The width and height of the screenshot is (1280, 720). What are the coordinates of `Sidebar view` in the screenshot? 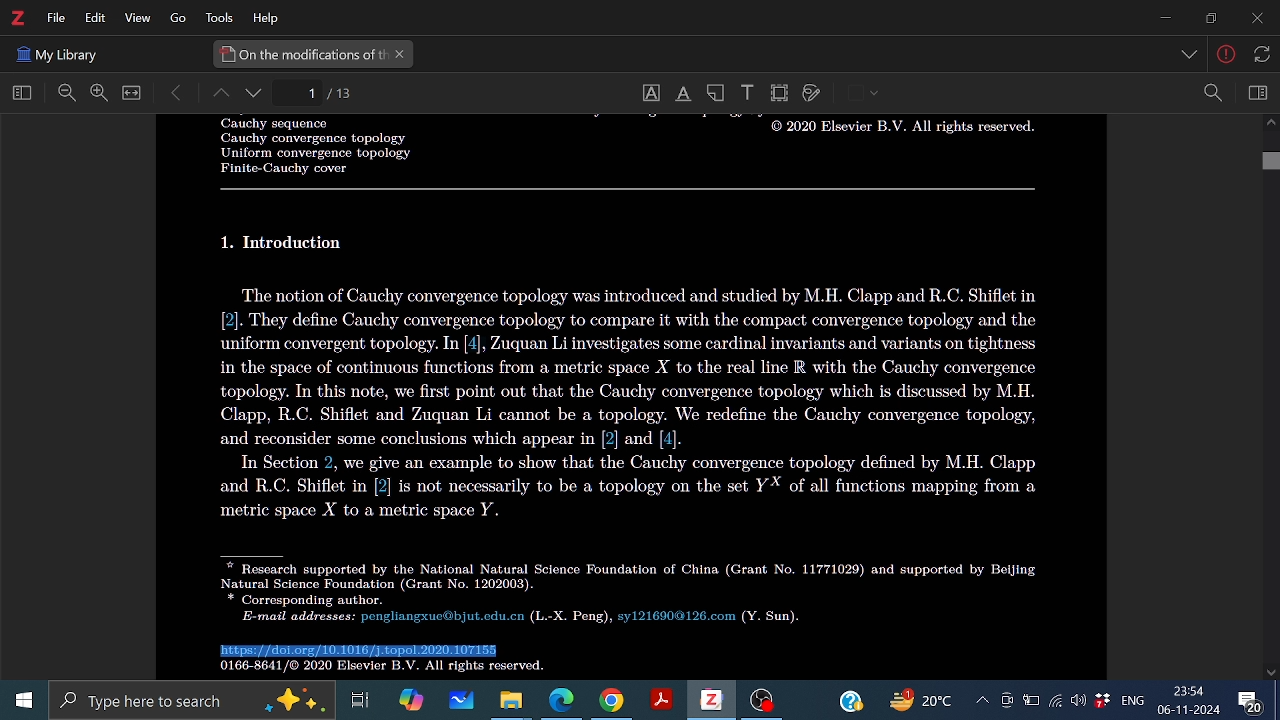 It's located at (1255, 93).